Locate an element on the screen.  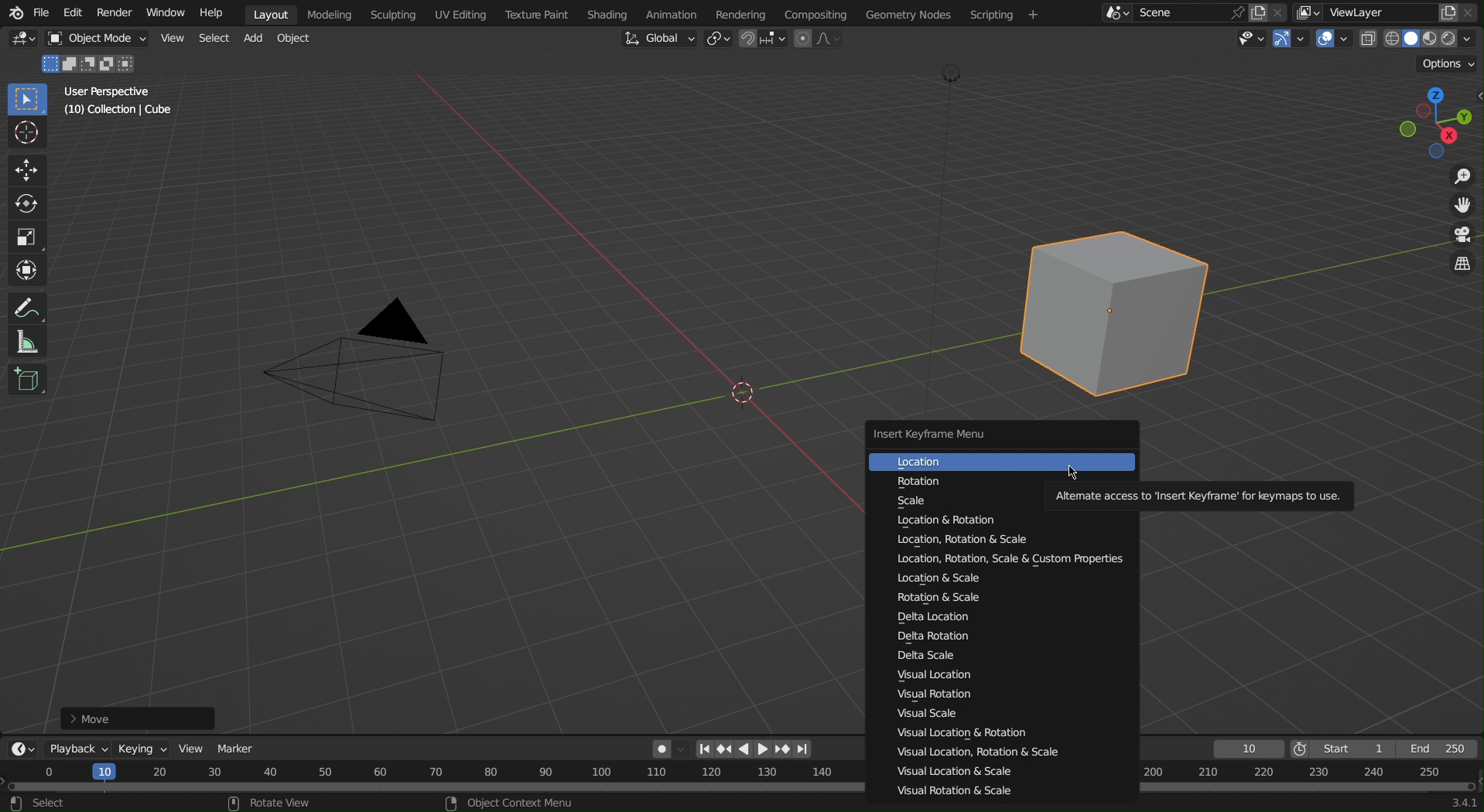
Show Gizmo is located at coordinates (1288, 39).